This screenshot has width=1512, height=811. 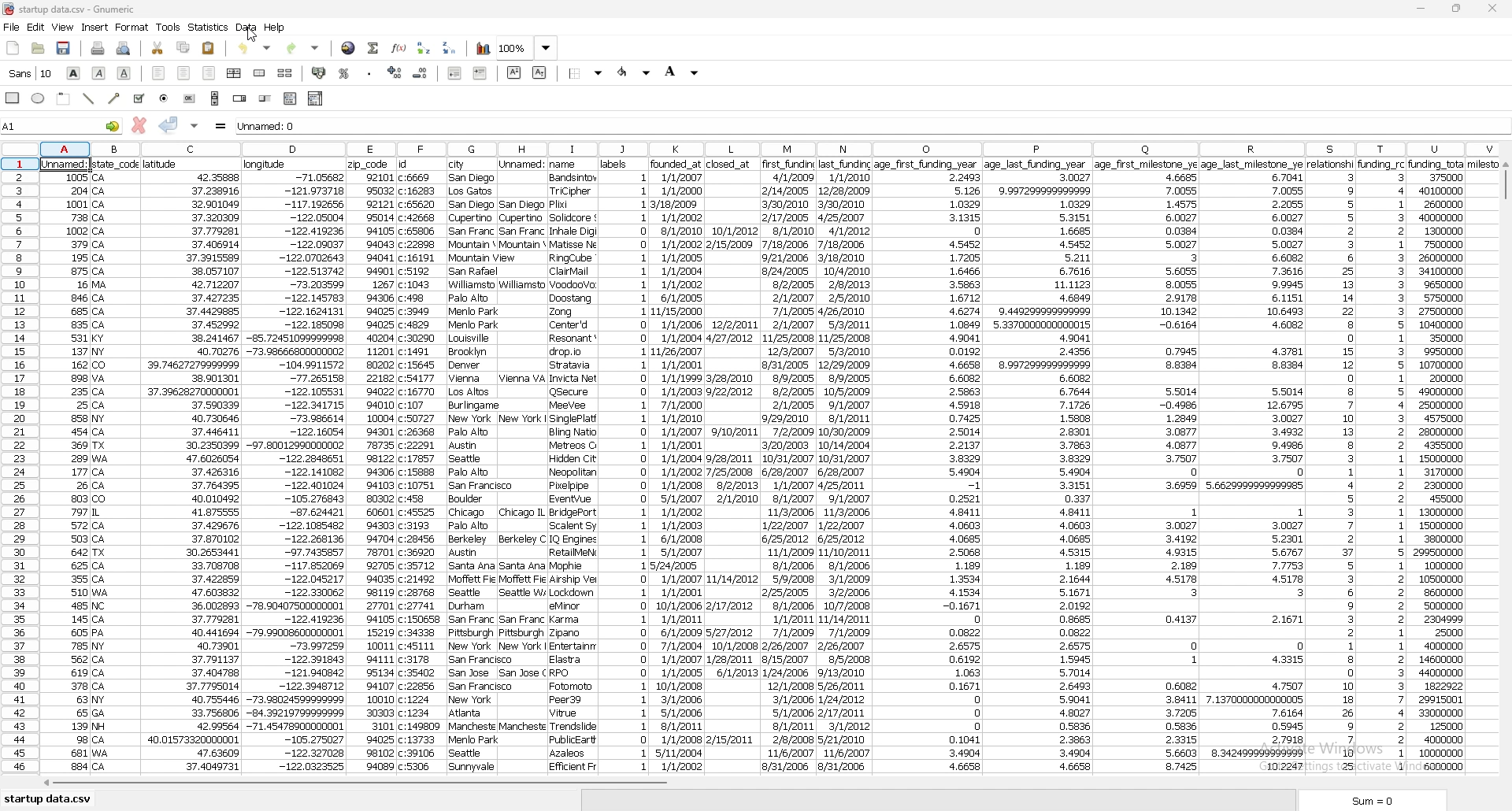 What do you see at coordinates (183, 72) in the screenshot?
I see `centre` at bounding box center [183, 72].